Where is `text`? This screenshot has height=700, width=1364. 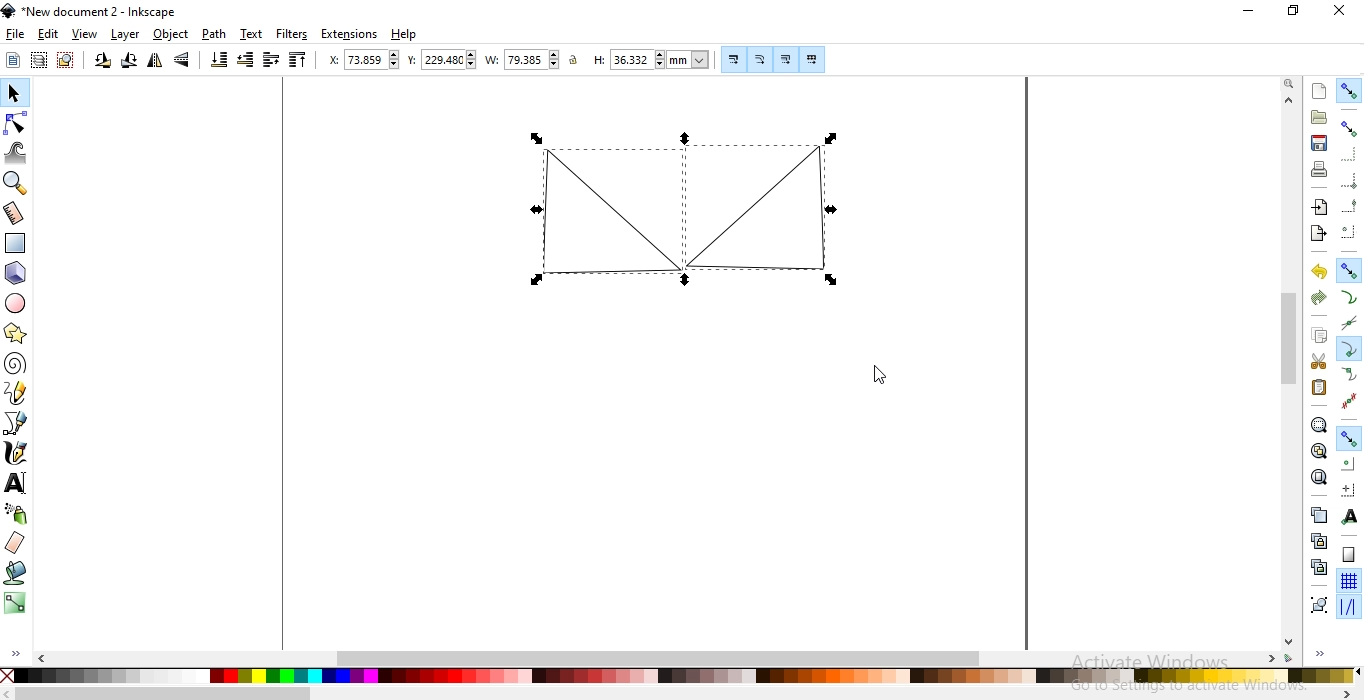
text is located at coordinates (253, 33).